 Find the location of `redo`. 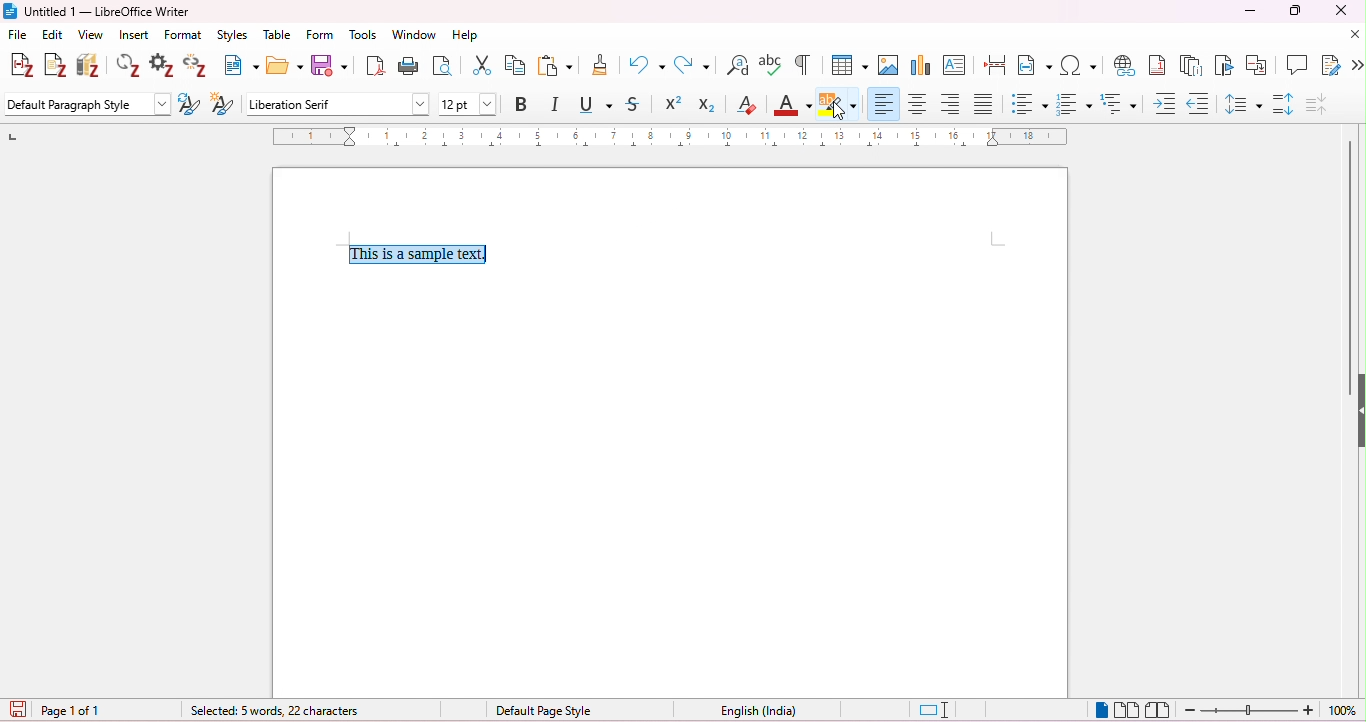

redo is located at coordinates (691, 64).